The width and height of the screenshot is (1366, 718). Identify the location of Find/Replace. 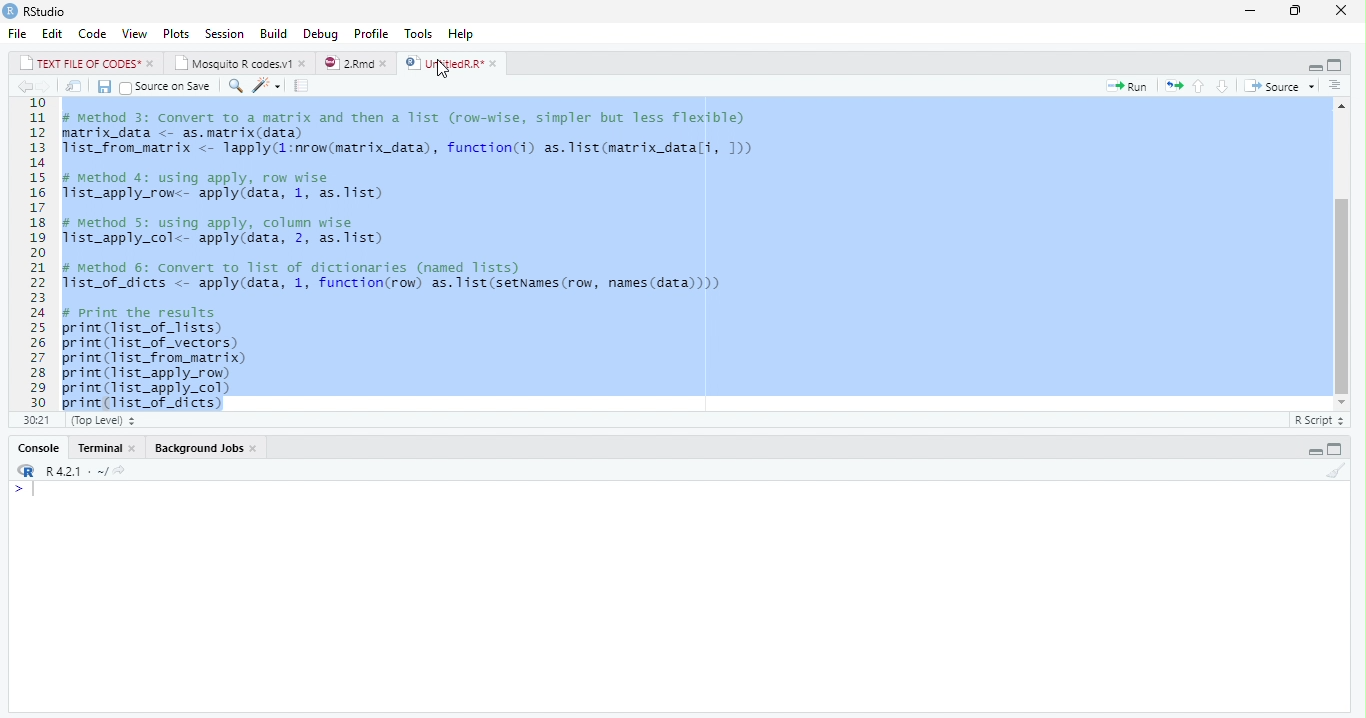
(236, 86).